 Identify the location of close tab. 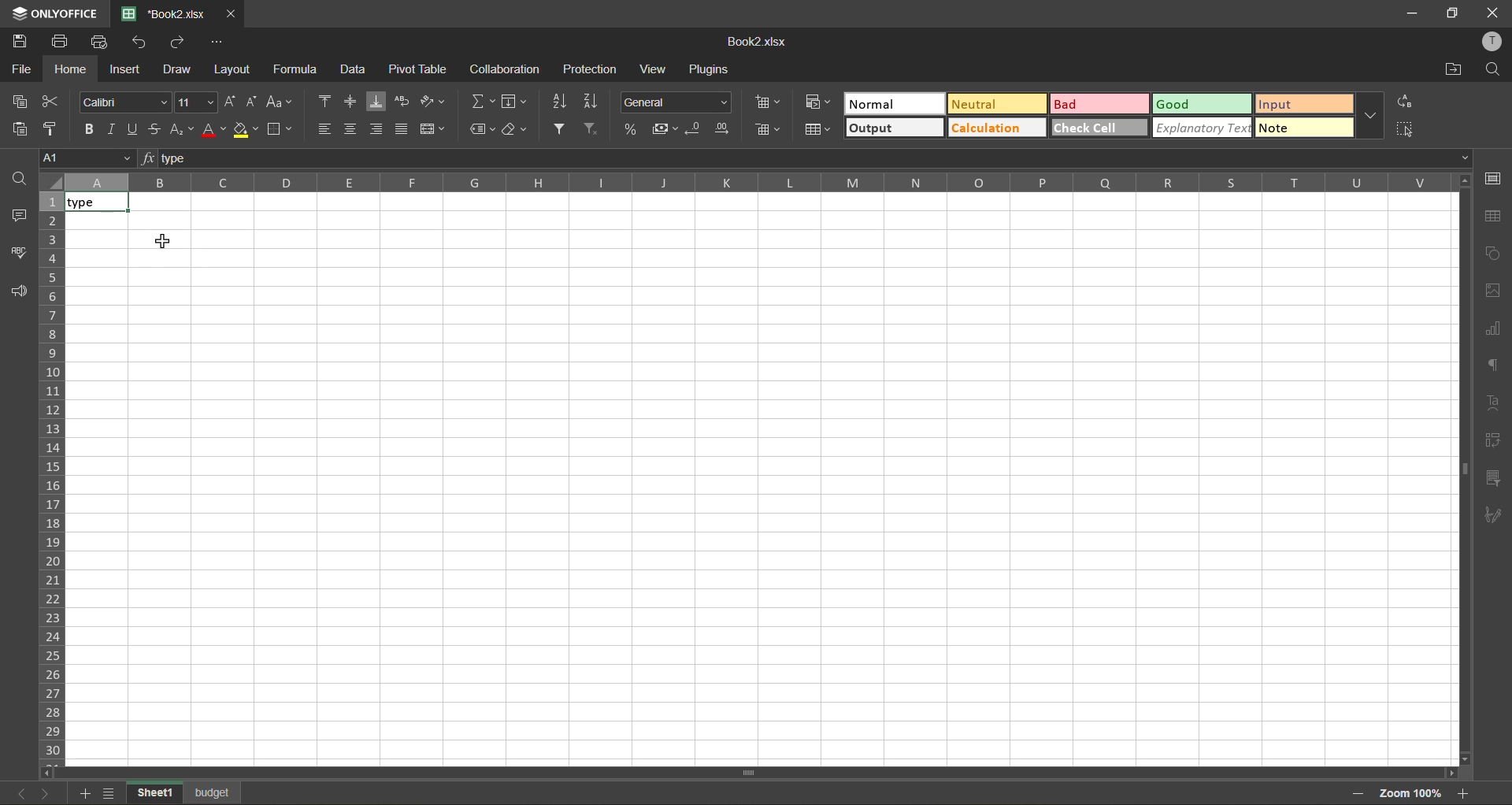
(228, 15).